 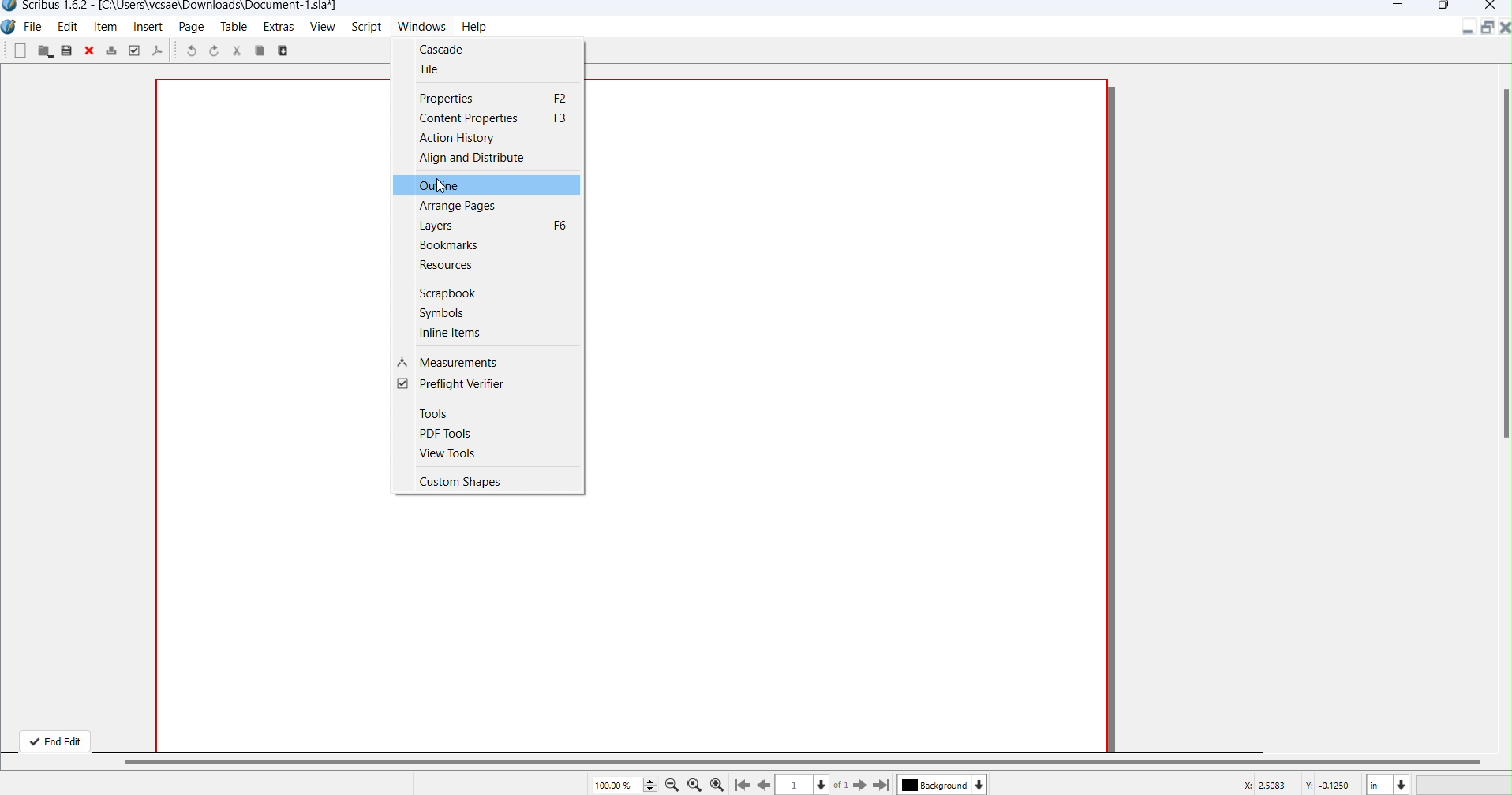 What do you see at coordinates (1402, 6) in the screenshot?
I see `Minimize` at bounding box center [1402, 6].